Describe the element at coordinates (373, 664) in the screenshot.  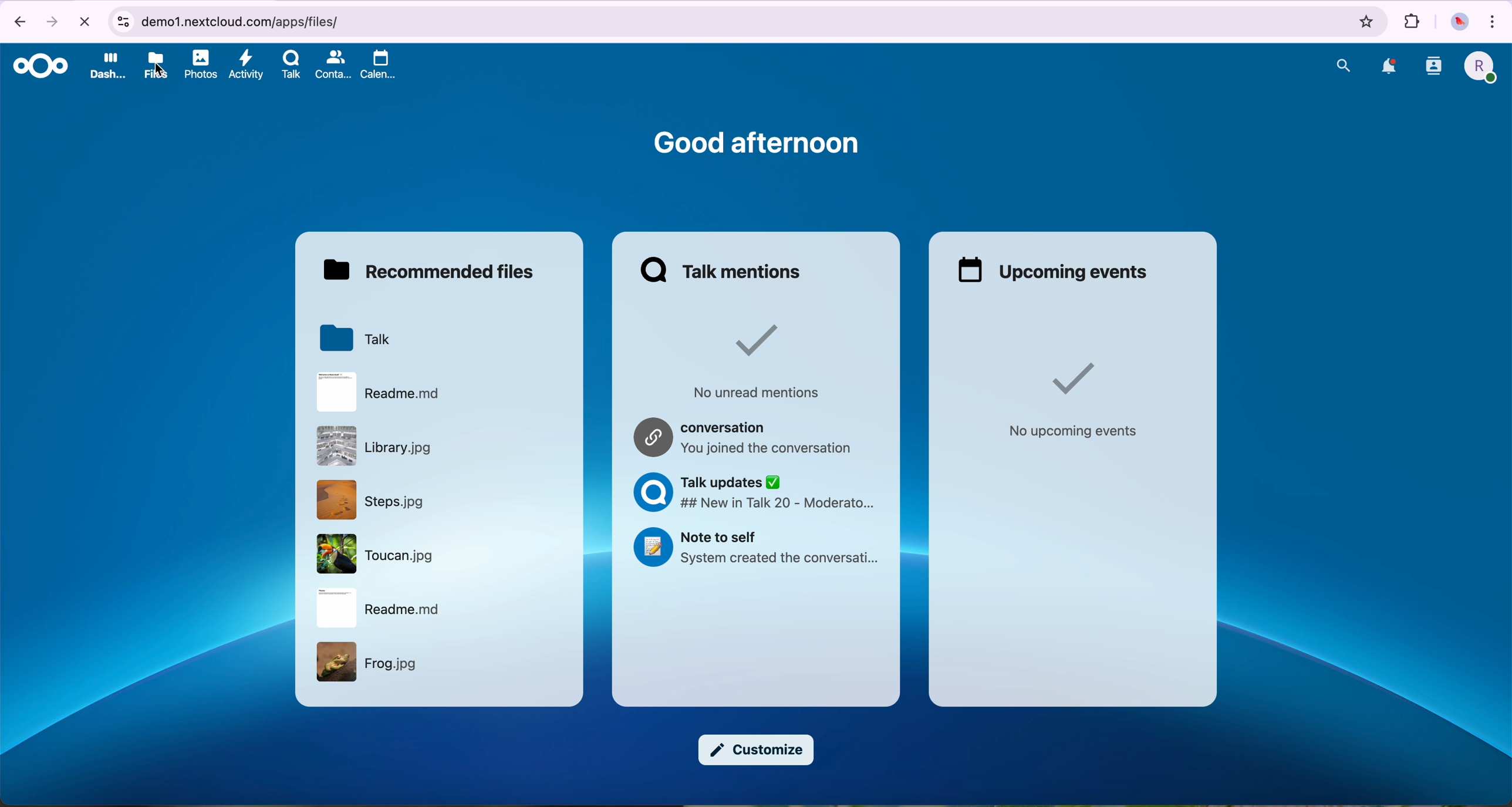
I see `frog.jpg` at that location.